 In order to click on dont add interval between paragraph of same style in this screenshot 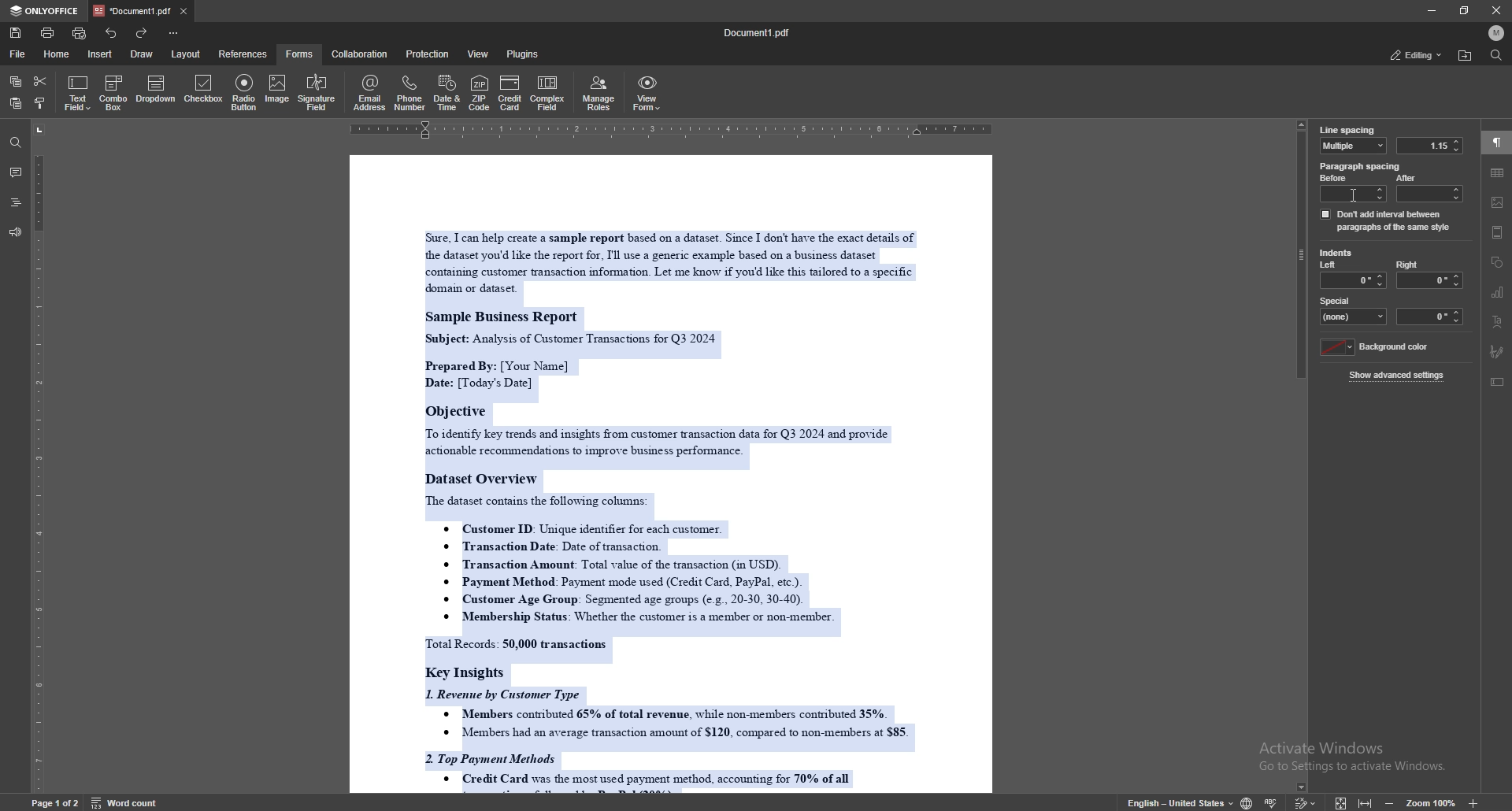, I will do `click(1386, 220)`.